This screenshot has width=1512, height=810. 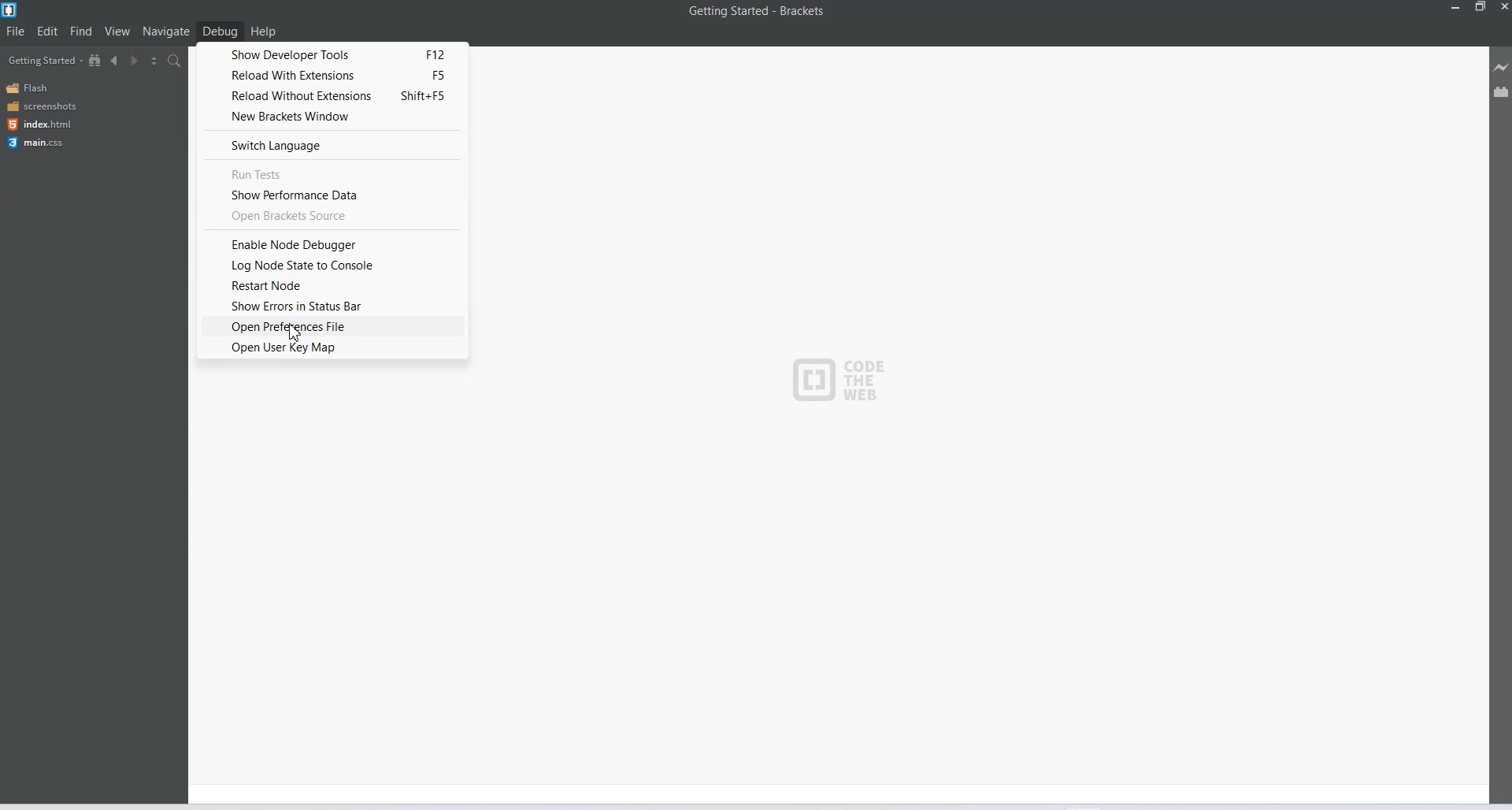 What do you see at coordinates (168, 32) in the screenshot?
I see `Navigate` at bounding box center [168, 32].